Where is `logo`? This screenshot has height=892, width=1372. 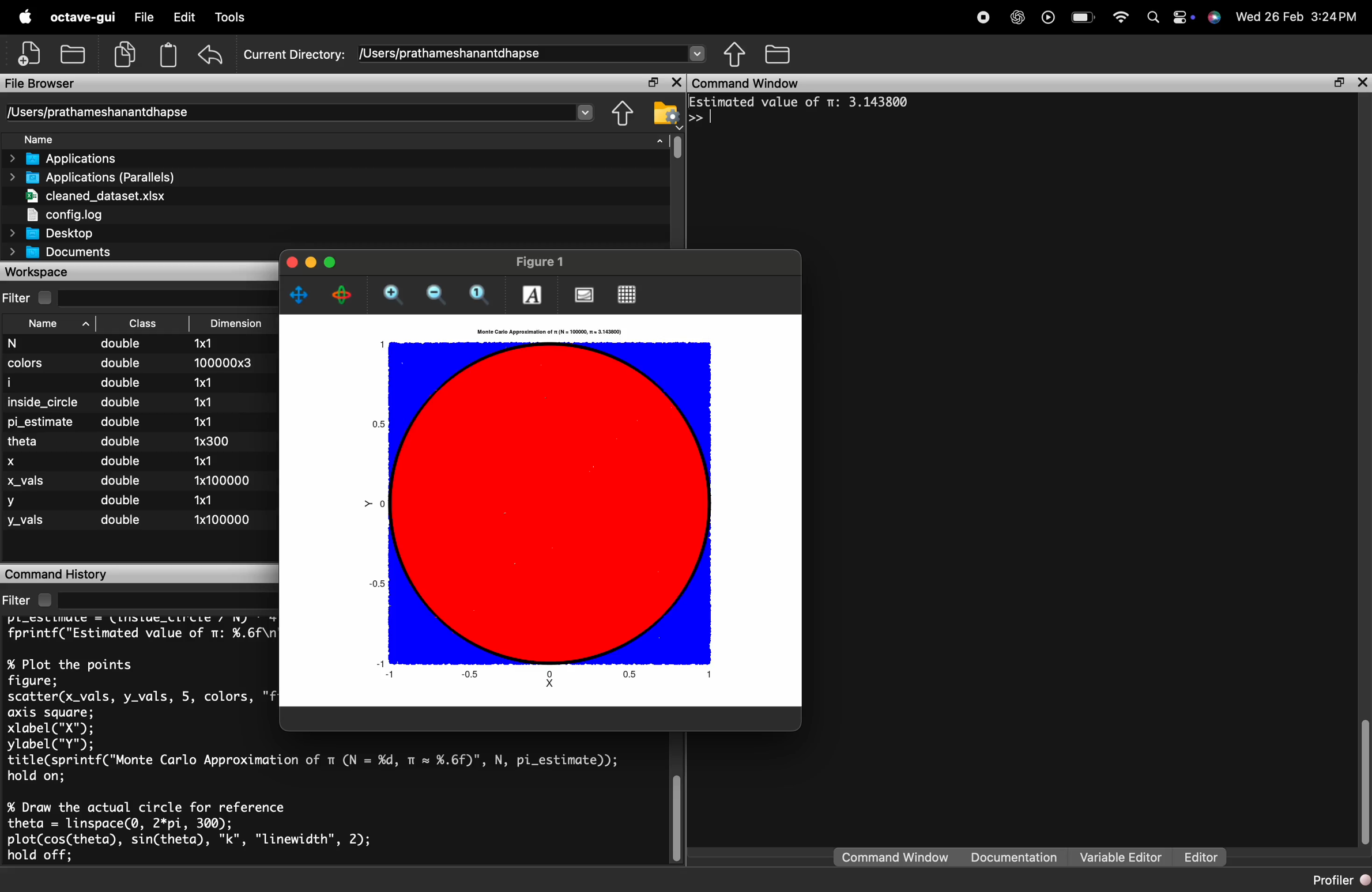 logo is located at coordinates (26, 18).